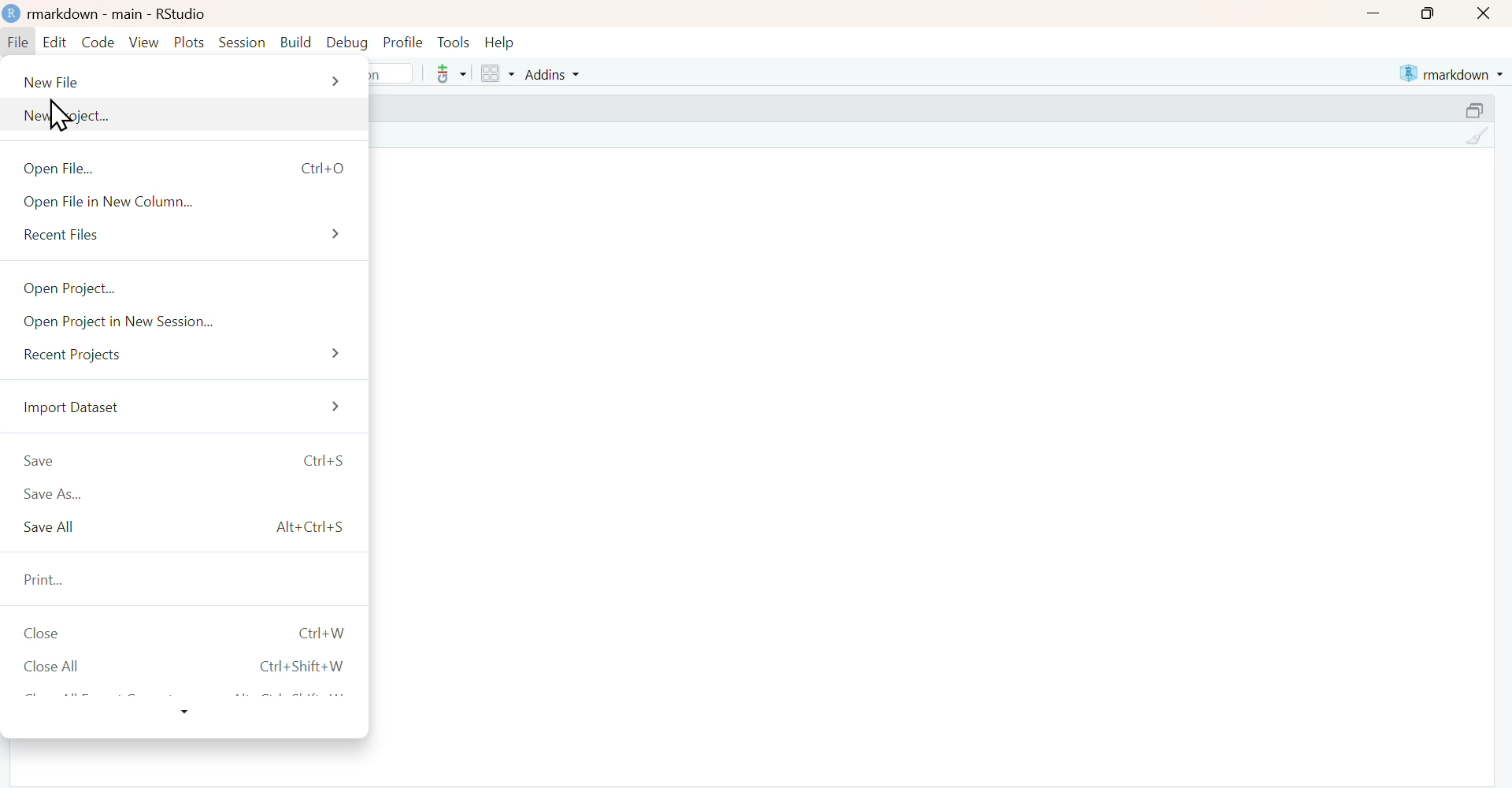 The height and width of the screenshot is (788, 1512). What do you see at coordinates (61, 114) in the screenshot?
I see `cursor` at bounding box center [61, 114].